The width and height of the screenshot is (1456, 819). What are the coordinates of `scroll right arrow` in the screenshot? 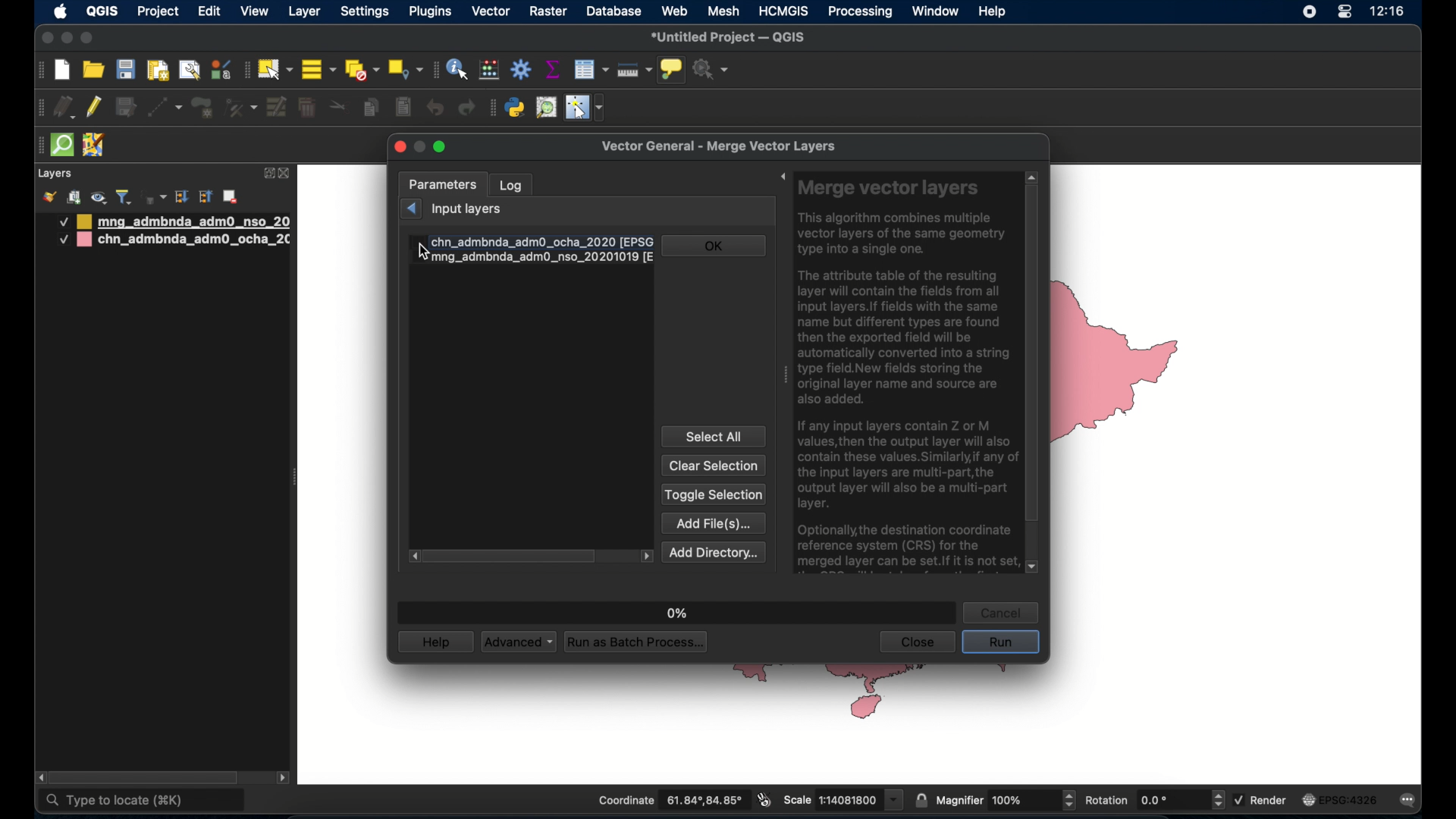 It's located at (284, 780).